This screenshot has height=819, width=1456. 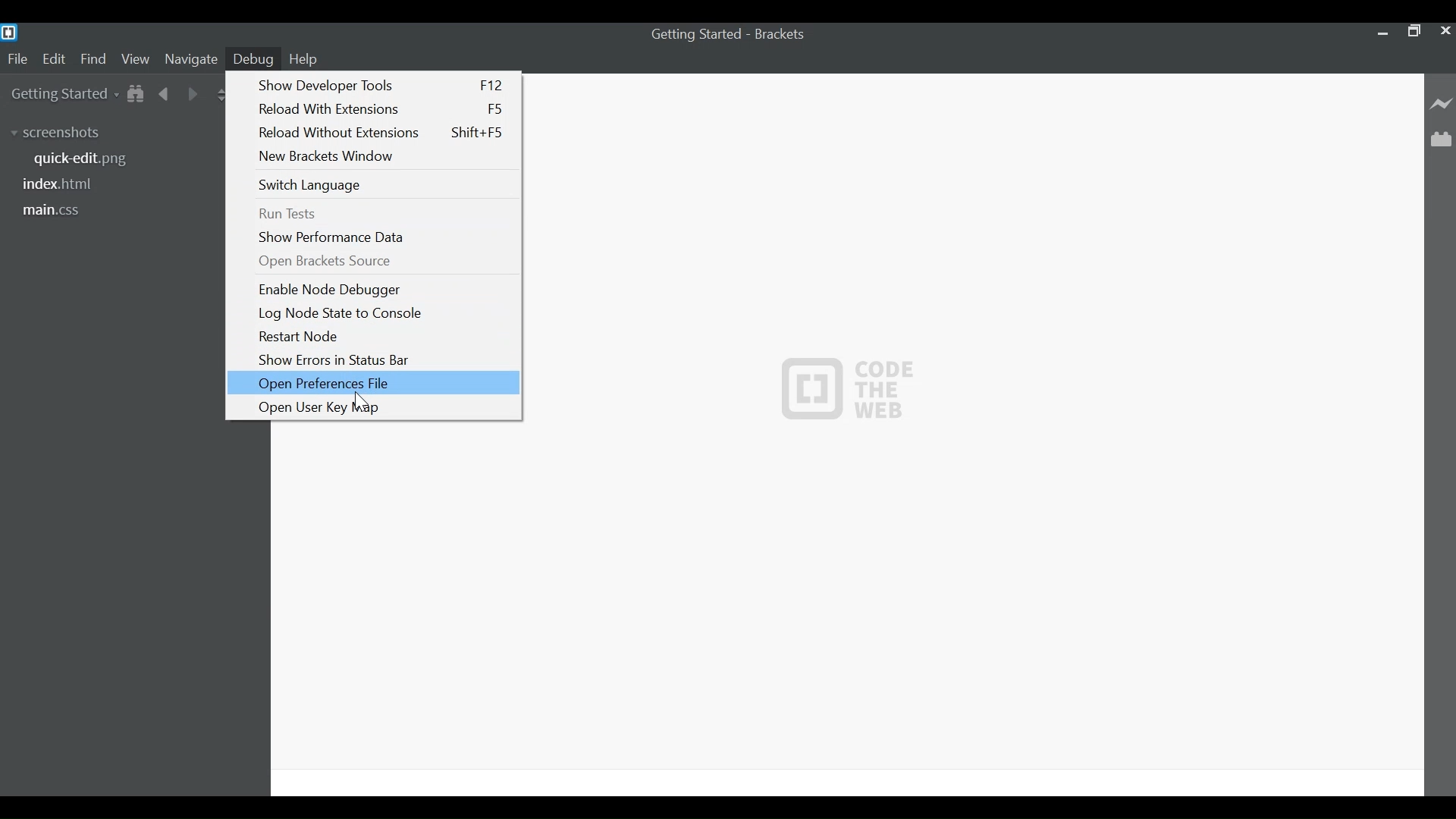 What do you see at coordinates (381, 156) in the screenshot?
I see `New Brackets Window` at bounding box center [381, 156].